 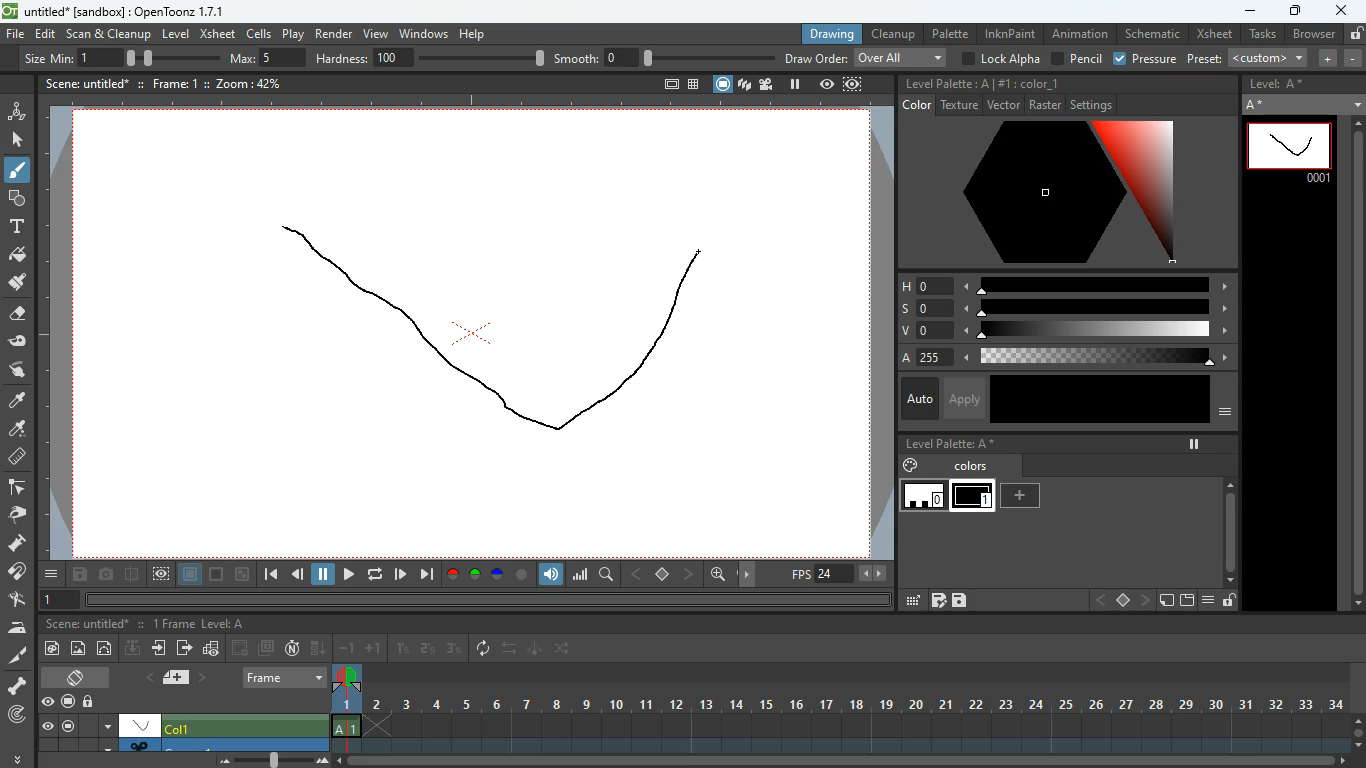 I want to click on graphic, so click(x=211, y=650).